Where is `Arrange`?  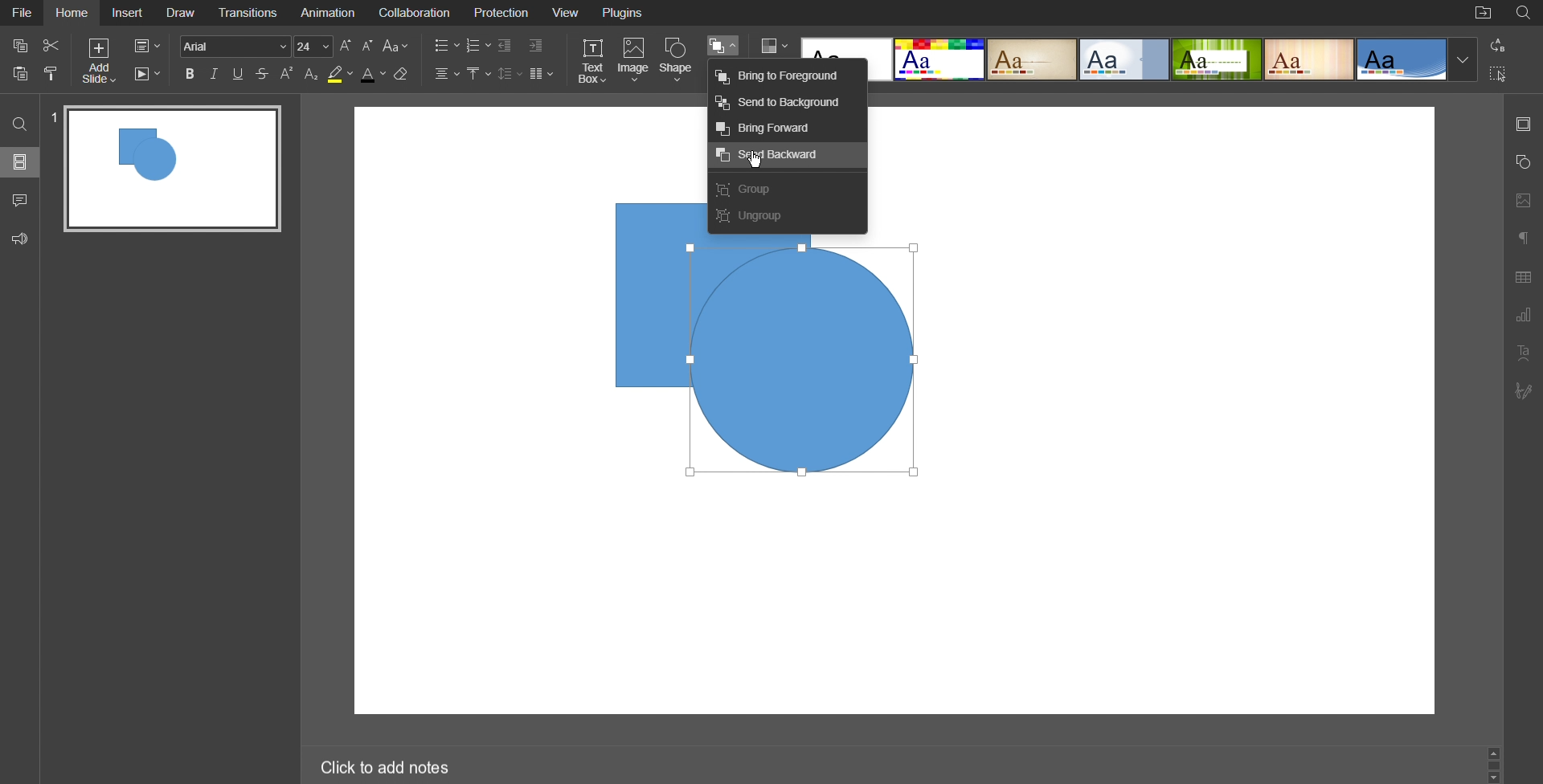 Arrange is located at coordinates (722, 44).